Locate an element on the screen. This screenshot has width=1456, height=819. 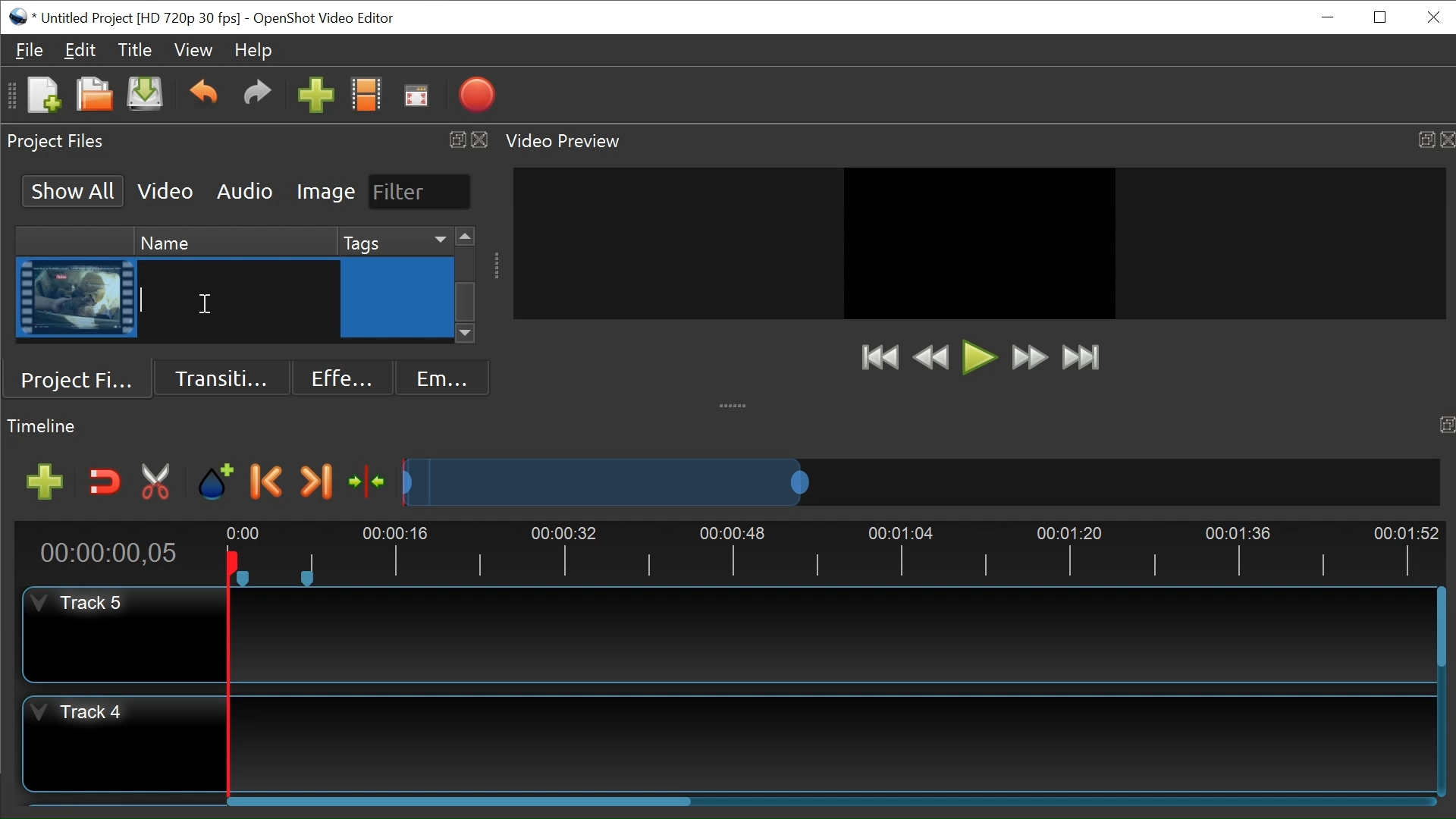
Fast Forward is located at coordinates (1029, 359).